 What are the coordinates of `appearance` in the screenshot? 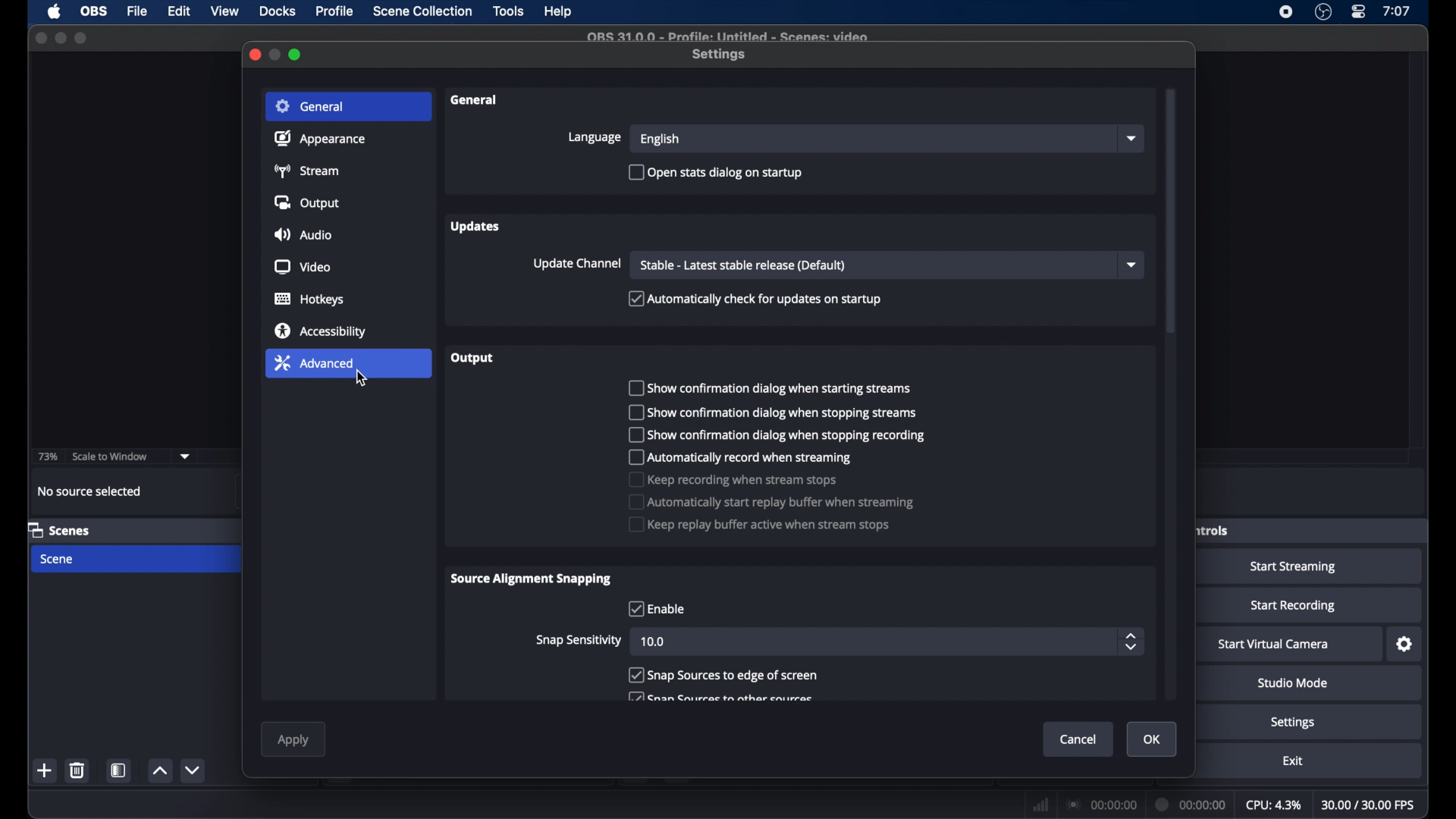 It's located at (322, 138).